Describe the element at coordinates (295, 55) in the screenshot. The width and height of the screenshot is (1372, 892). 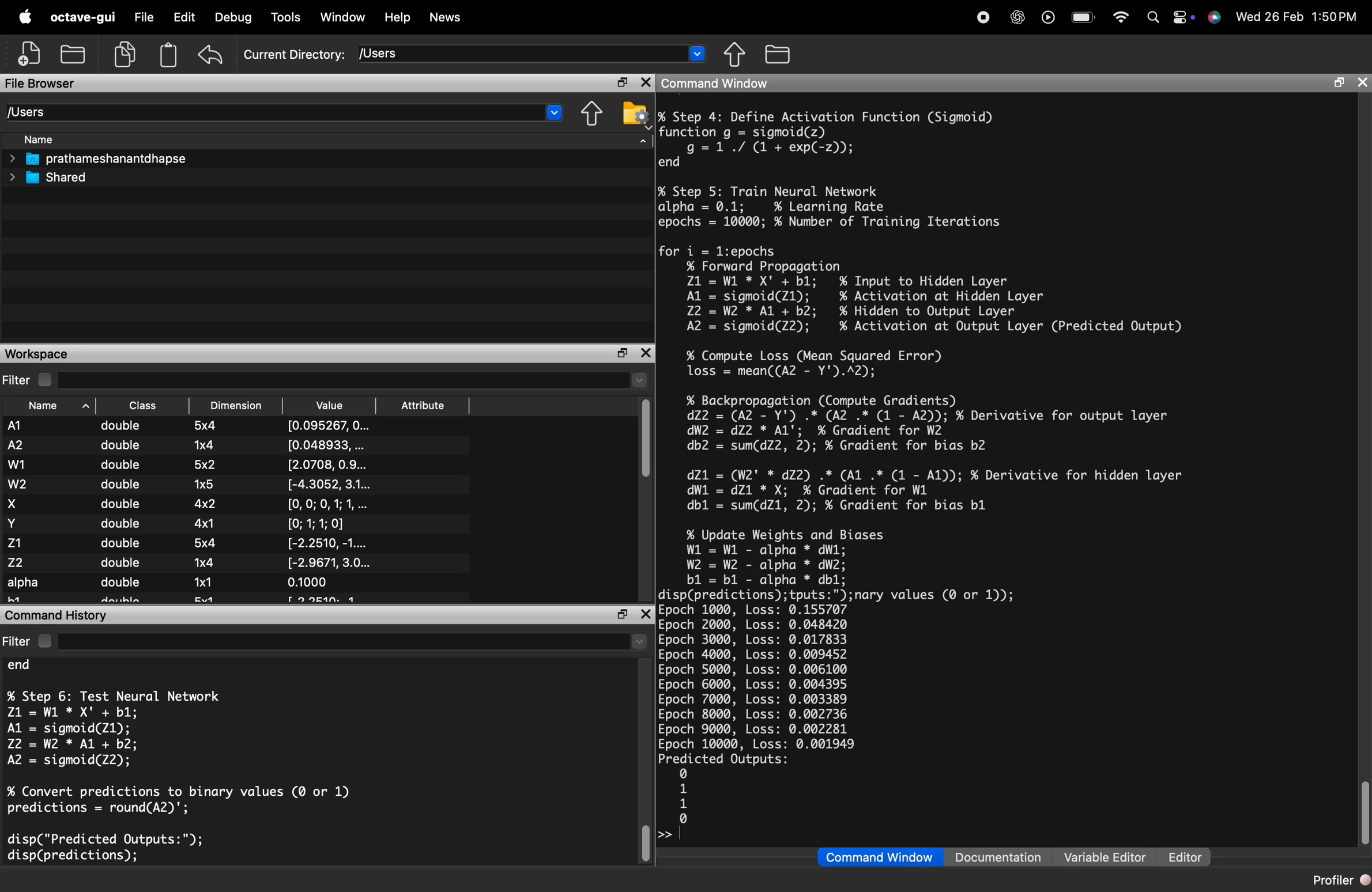
I see `Current Directory:` at that location.